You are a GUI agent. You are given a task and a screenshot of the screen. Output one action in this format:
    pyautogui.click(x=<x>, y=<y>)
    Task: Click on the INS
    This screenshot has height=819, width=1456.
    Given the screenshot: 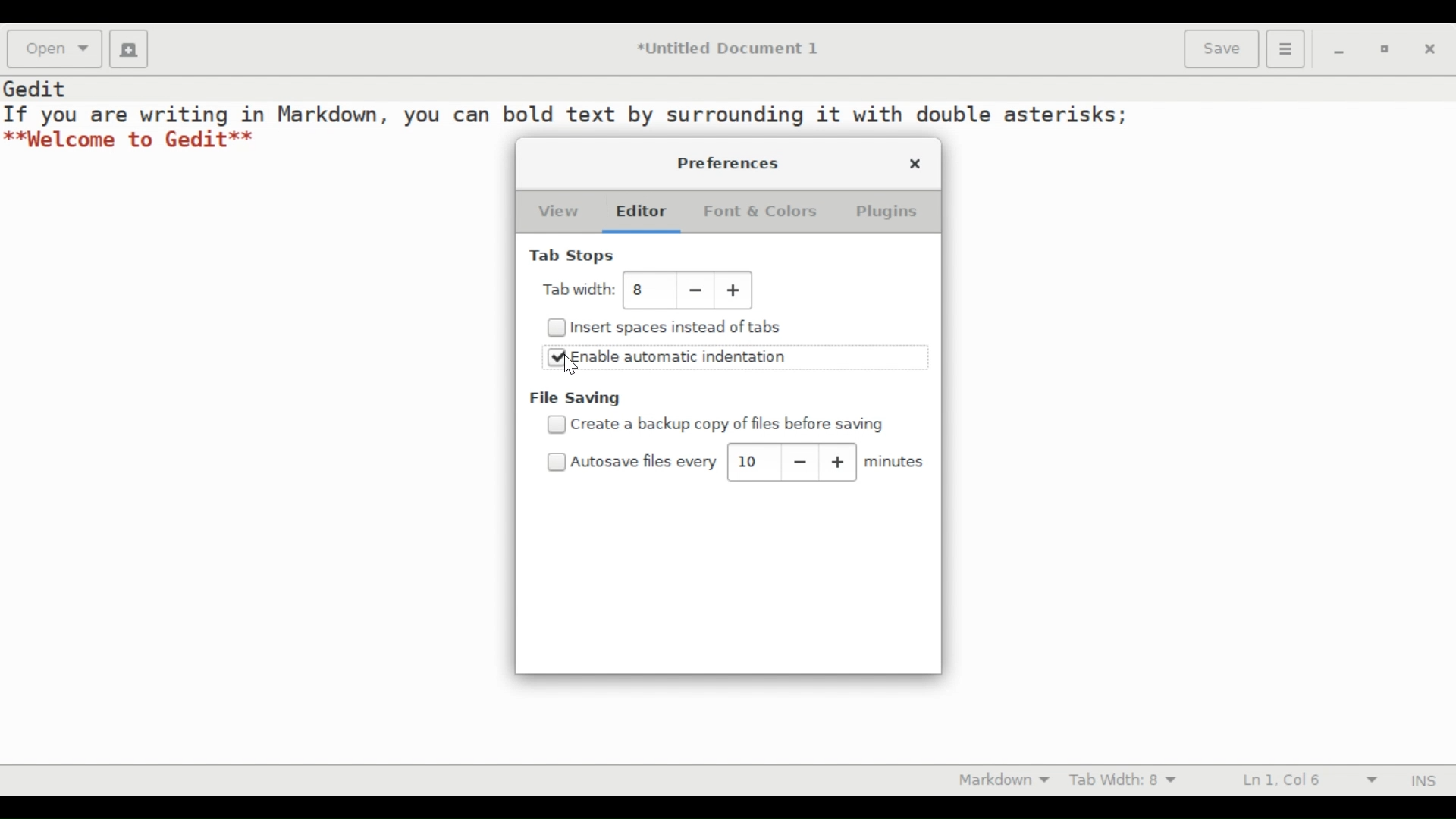 What is the action you would take?
    pyautogui.click(x=1423, y=780)
    